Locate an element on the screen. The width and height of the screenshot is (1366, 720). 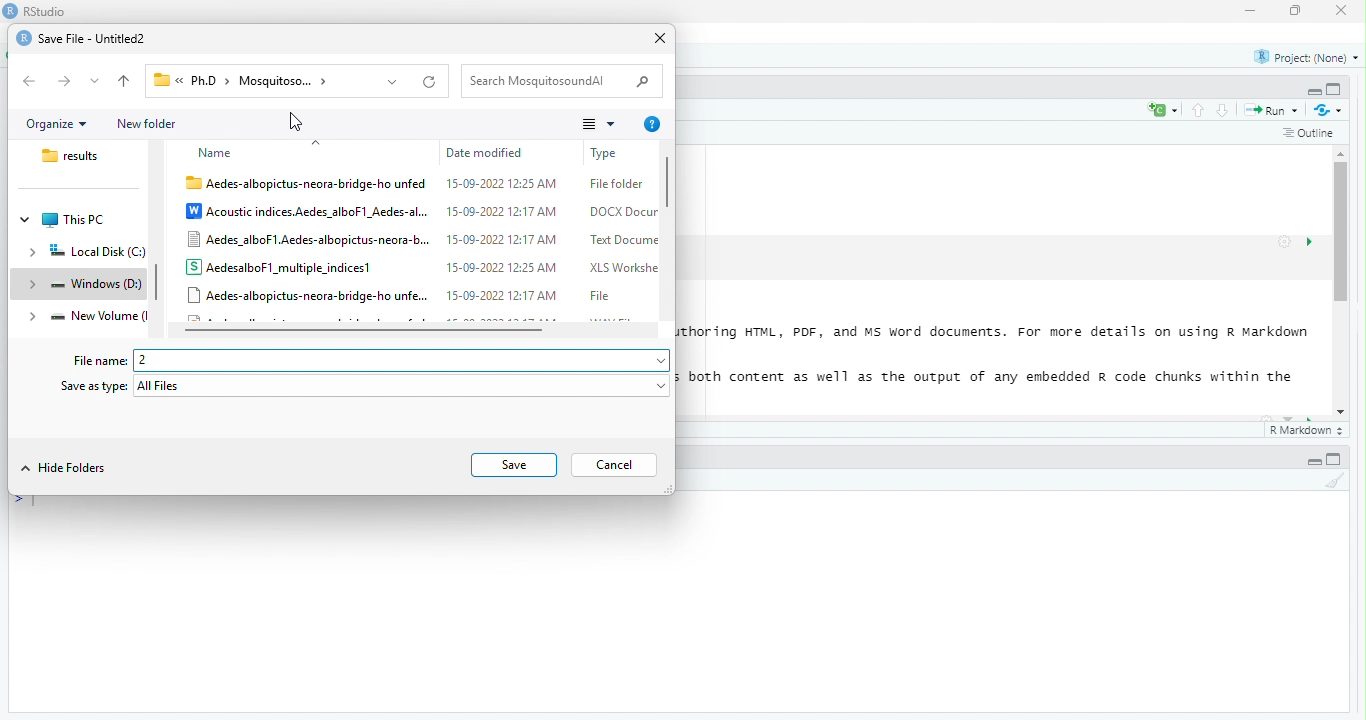
New folder is located at coordinates (146, 125).